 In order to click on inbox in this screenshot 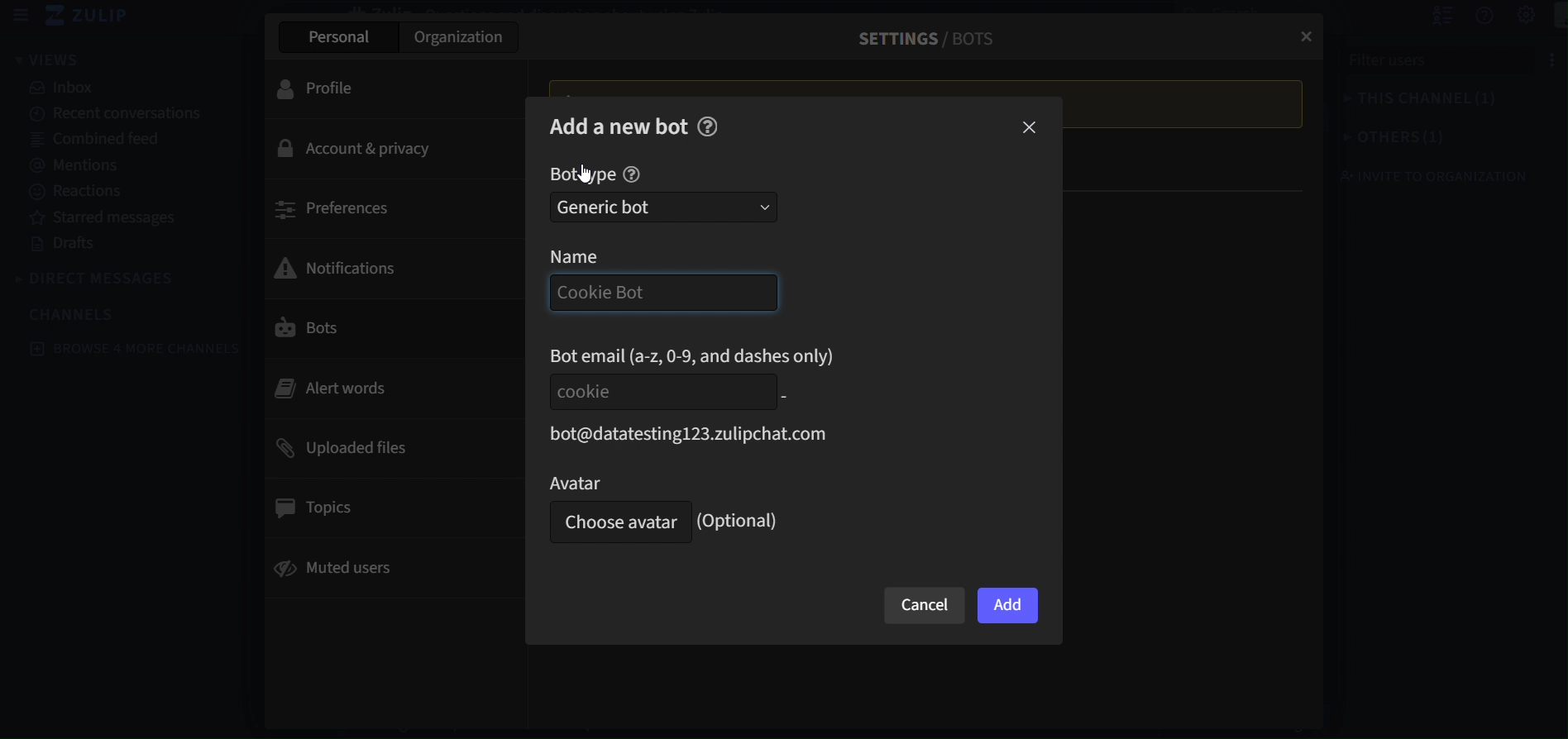, I will do `click(69, 88)`.